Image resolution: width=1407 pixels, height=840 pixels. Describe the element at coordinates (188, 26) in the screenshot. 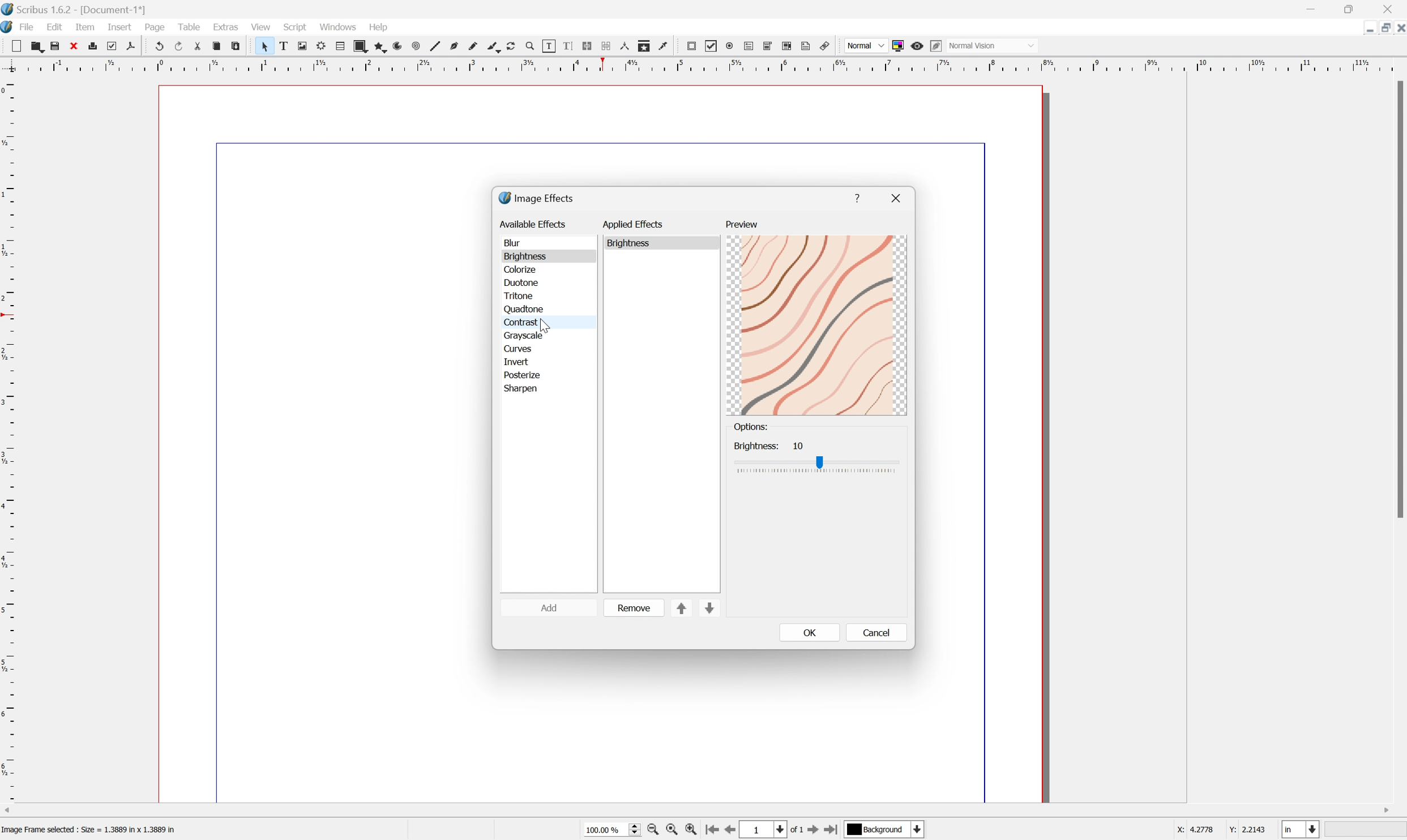

I see `Table` at that location.